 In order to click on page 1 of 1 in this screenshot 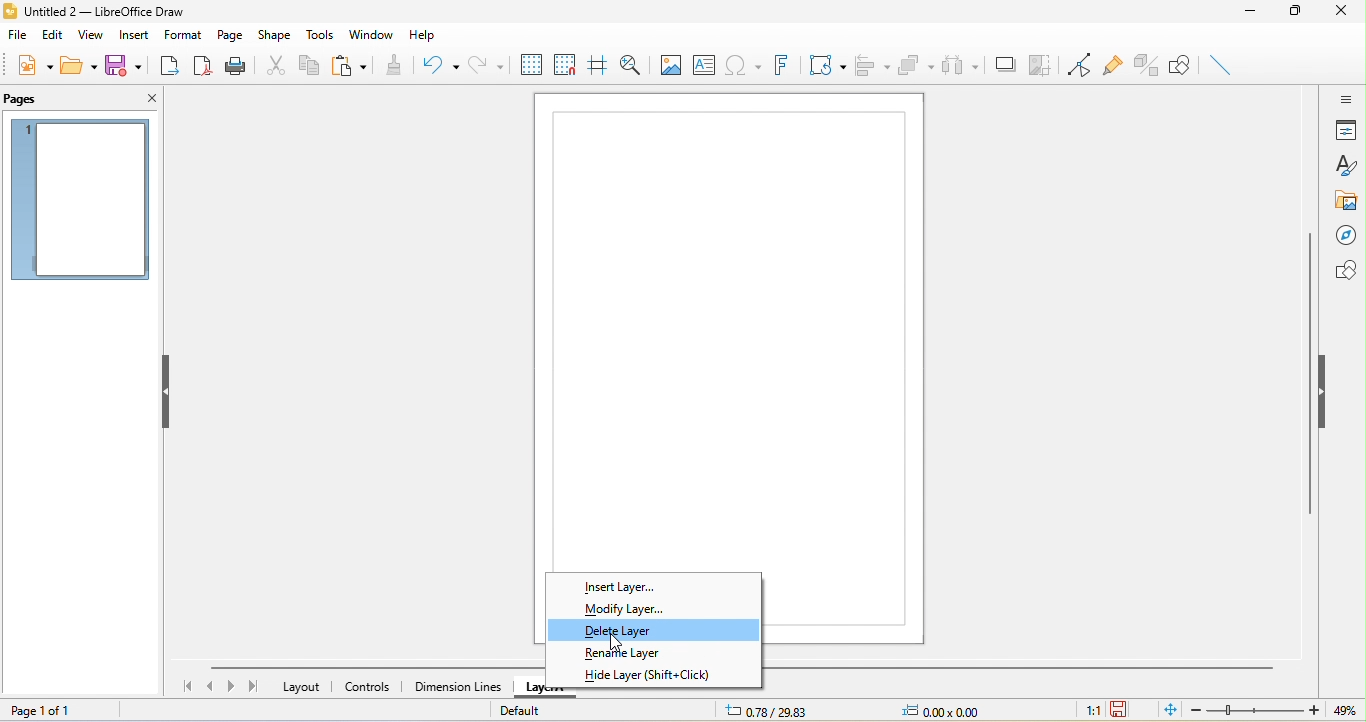, I will do `click(61, 711)`.